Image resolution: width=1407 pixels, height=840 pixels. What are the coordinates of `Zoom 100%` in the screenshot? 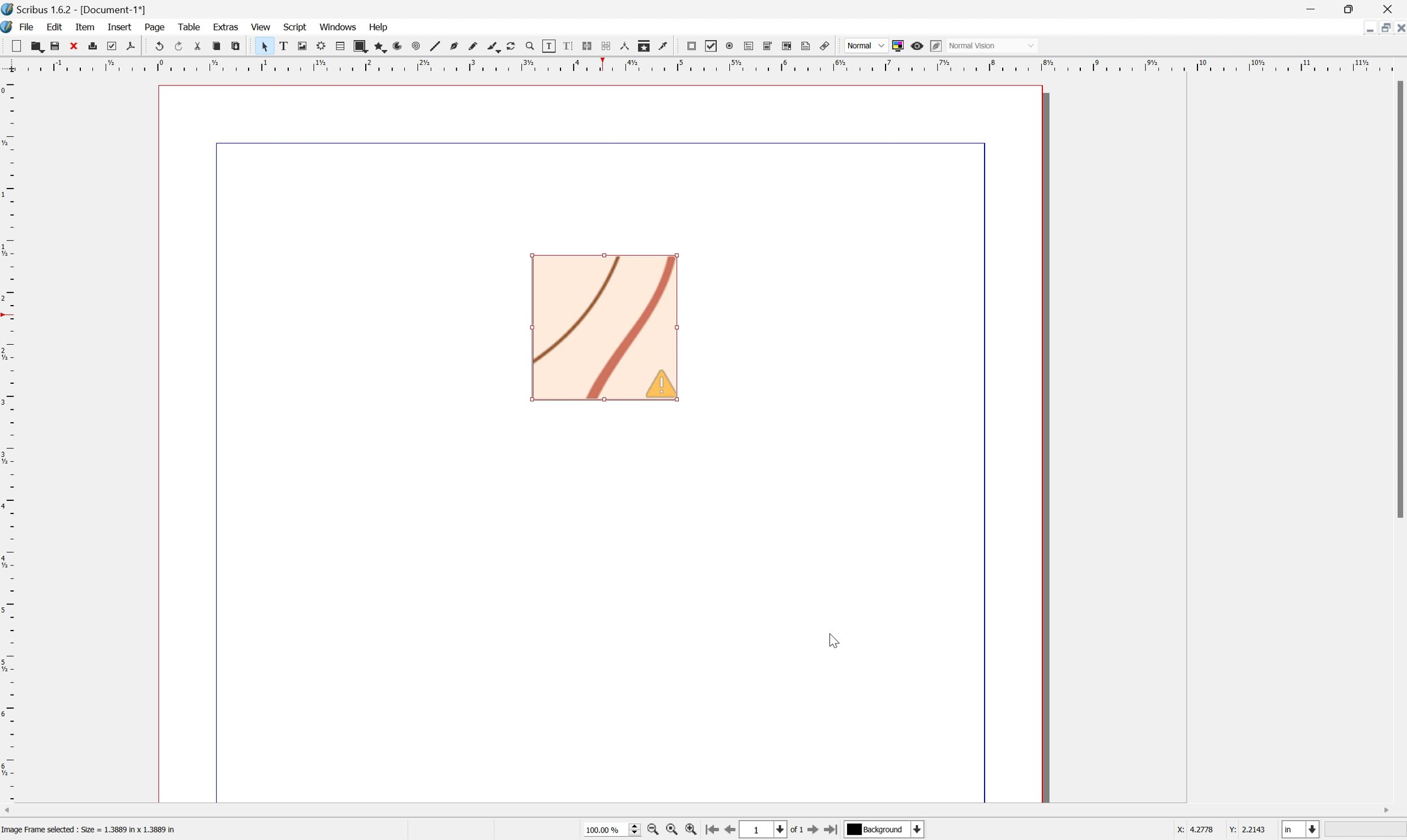 It's located at (610, 830).